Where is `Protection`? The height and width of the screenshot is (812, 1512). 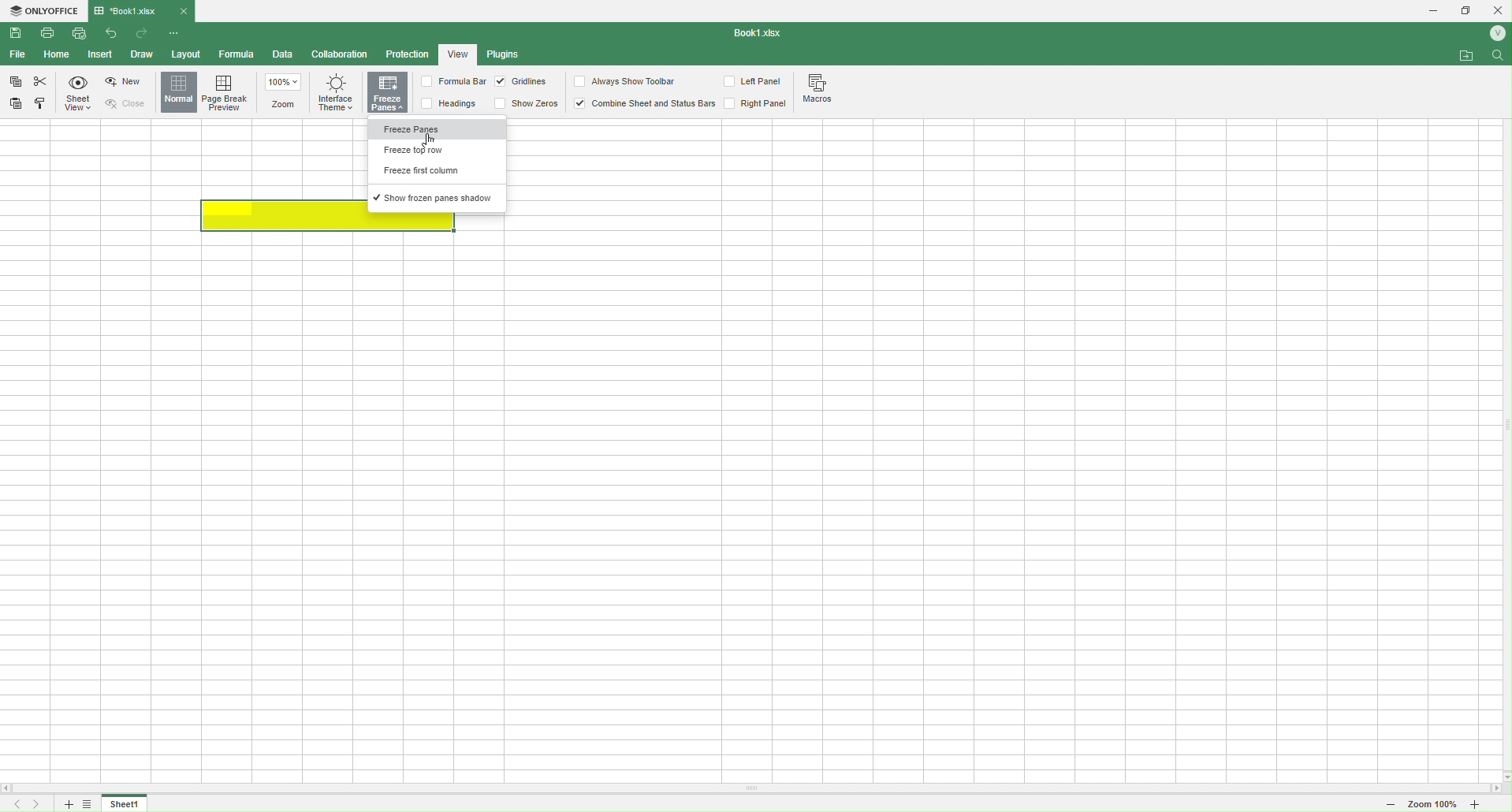 Protection is located at coordinates (407, 56).